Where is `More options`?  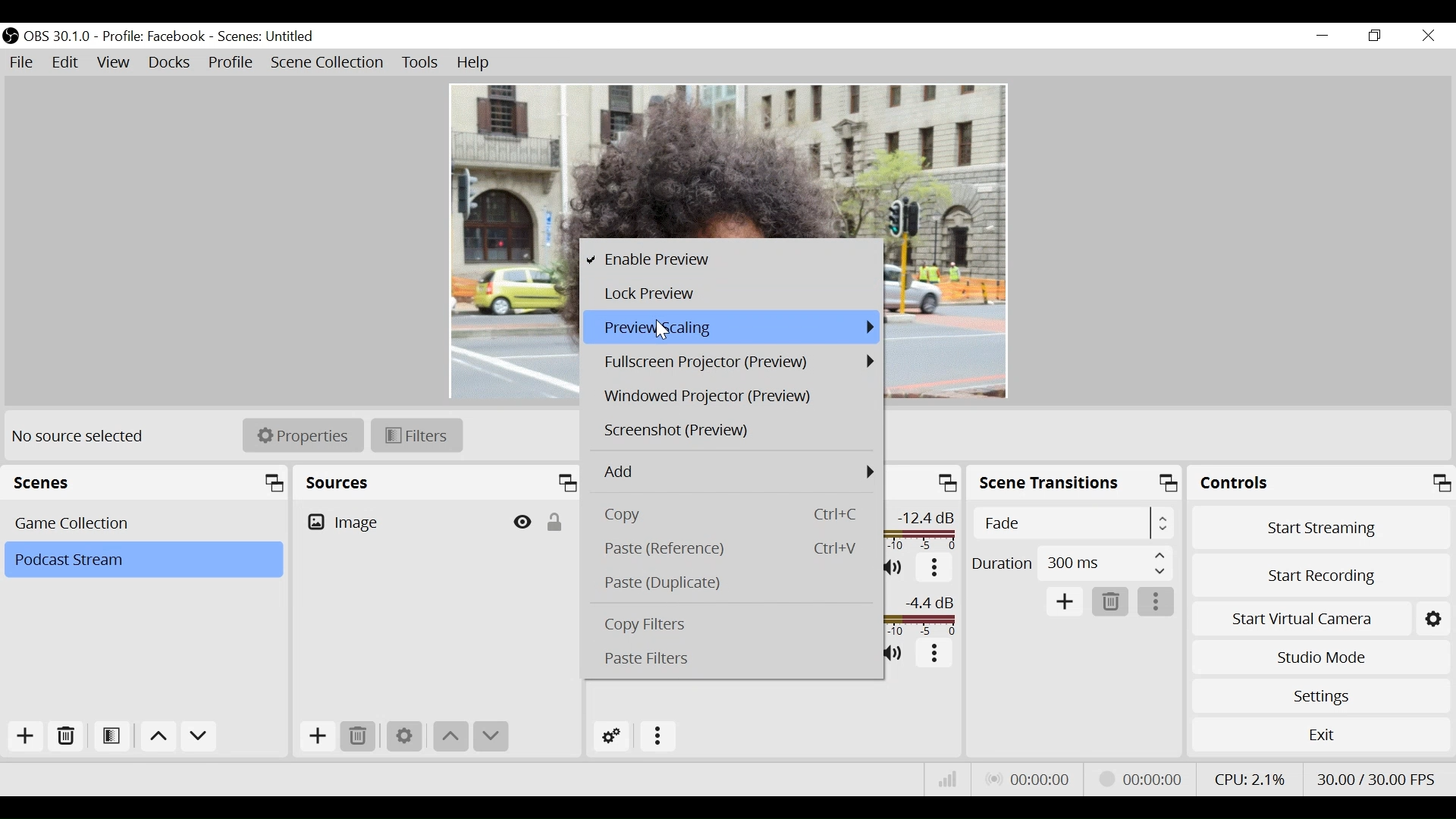 More options is located at coordinates (935, 654).